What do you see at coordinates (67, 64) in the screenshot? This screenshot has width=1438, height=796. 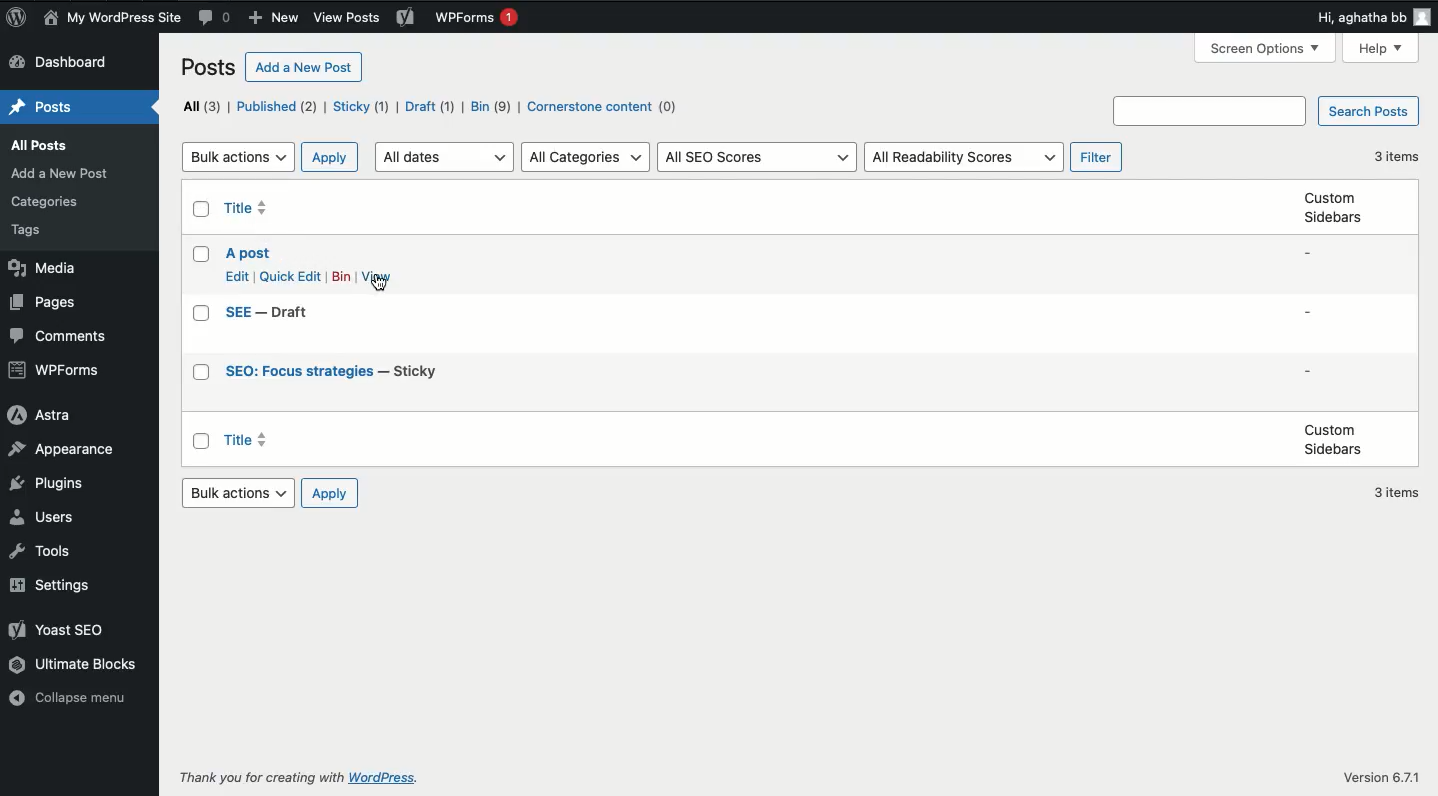 I see `Dashboard` at bounding box center [67, 64].